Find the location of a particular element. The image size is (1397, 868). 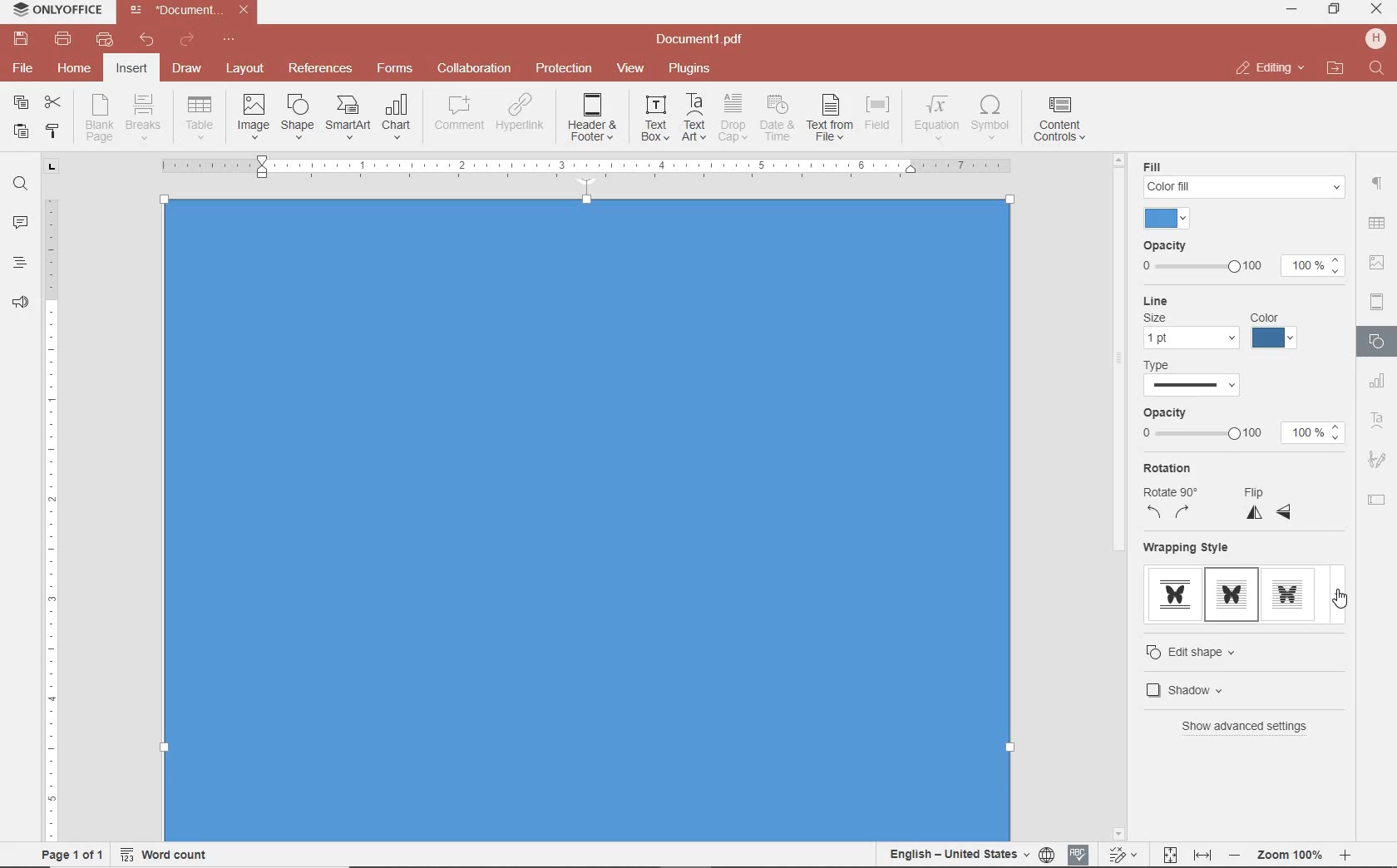

ADD HYPERLINK is located at coordinates (521, 116).